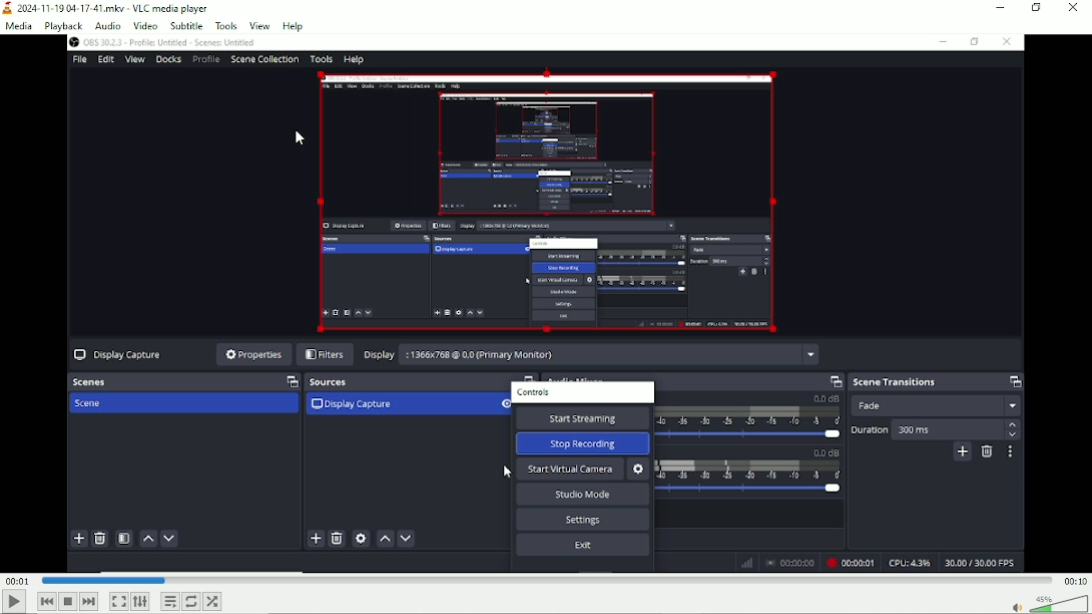 The width and height of the screenshot is (1092, 614). I want to click on help, so click(293, 25).